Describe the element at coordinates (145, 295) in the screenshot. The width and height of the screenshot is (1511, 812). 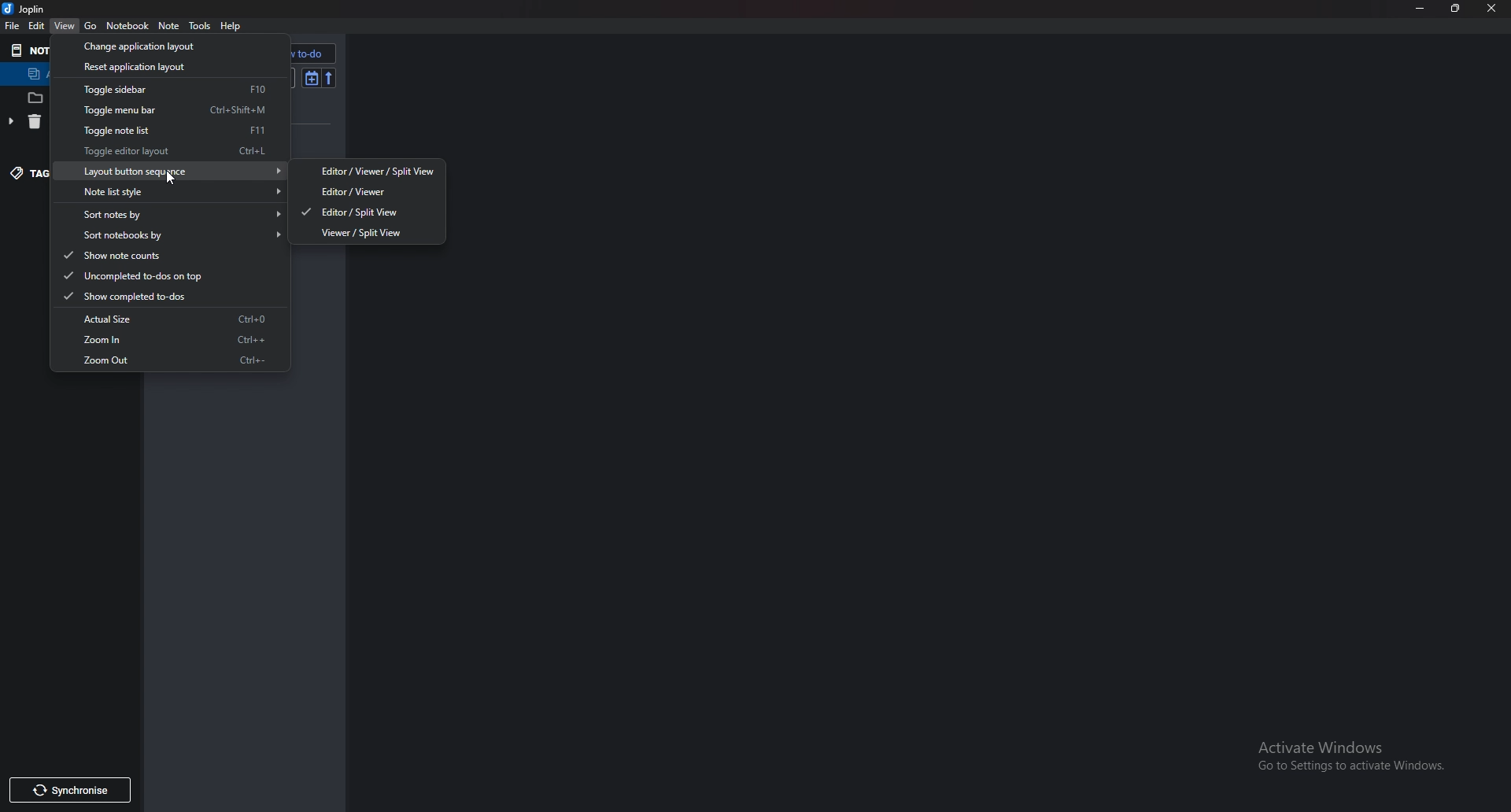
I see `Show completed to-dos` at that location.